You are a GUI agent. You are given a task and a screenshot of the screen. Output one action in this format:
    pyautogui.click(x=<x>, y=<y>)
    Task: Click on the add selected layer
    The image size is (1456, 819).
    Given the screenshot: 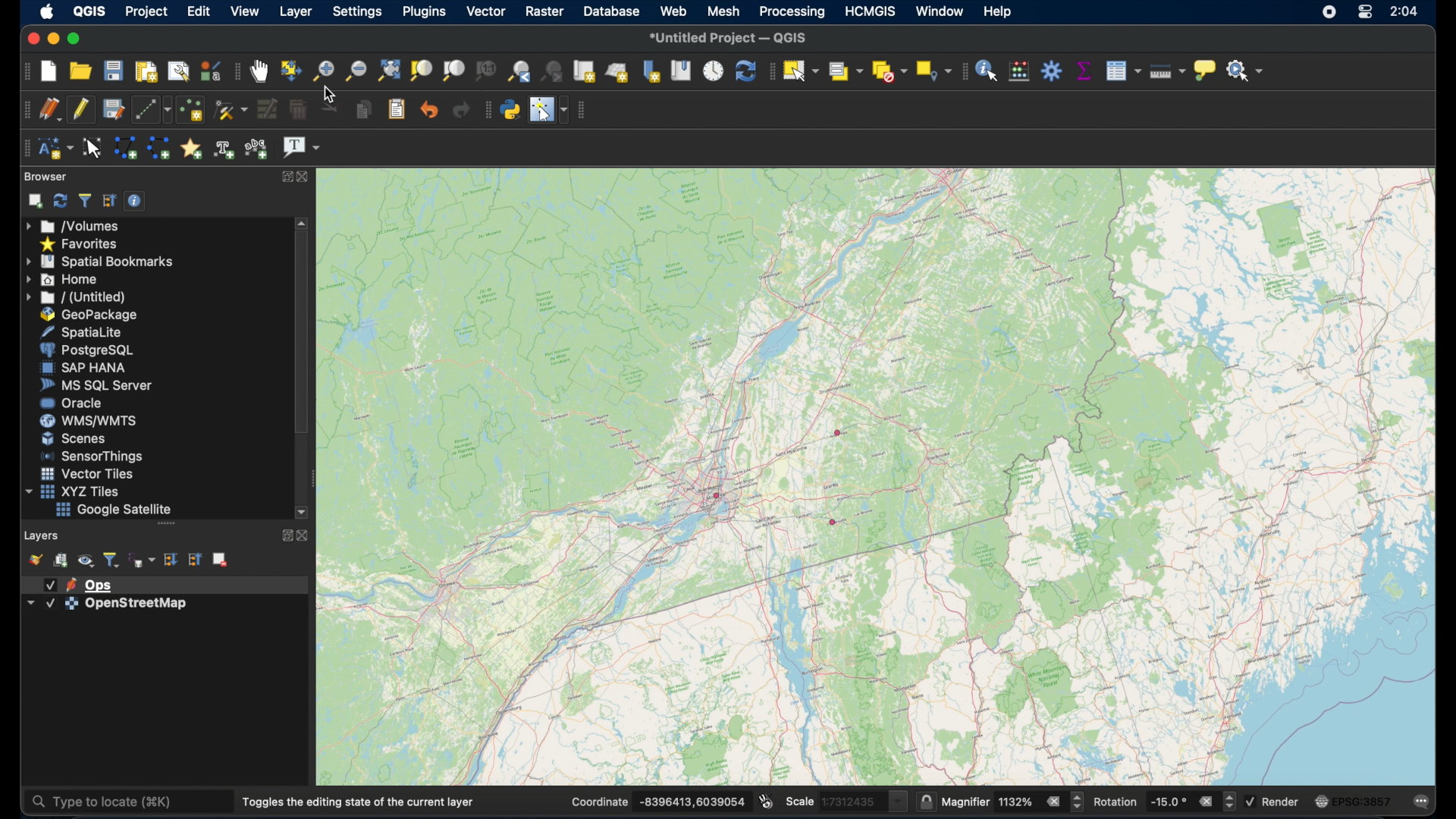 What is the action you would take?
    pyautogui.click(x=33, y=202)
    